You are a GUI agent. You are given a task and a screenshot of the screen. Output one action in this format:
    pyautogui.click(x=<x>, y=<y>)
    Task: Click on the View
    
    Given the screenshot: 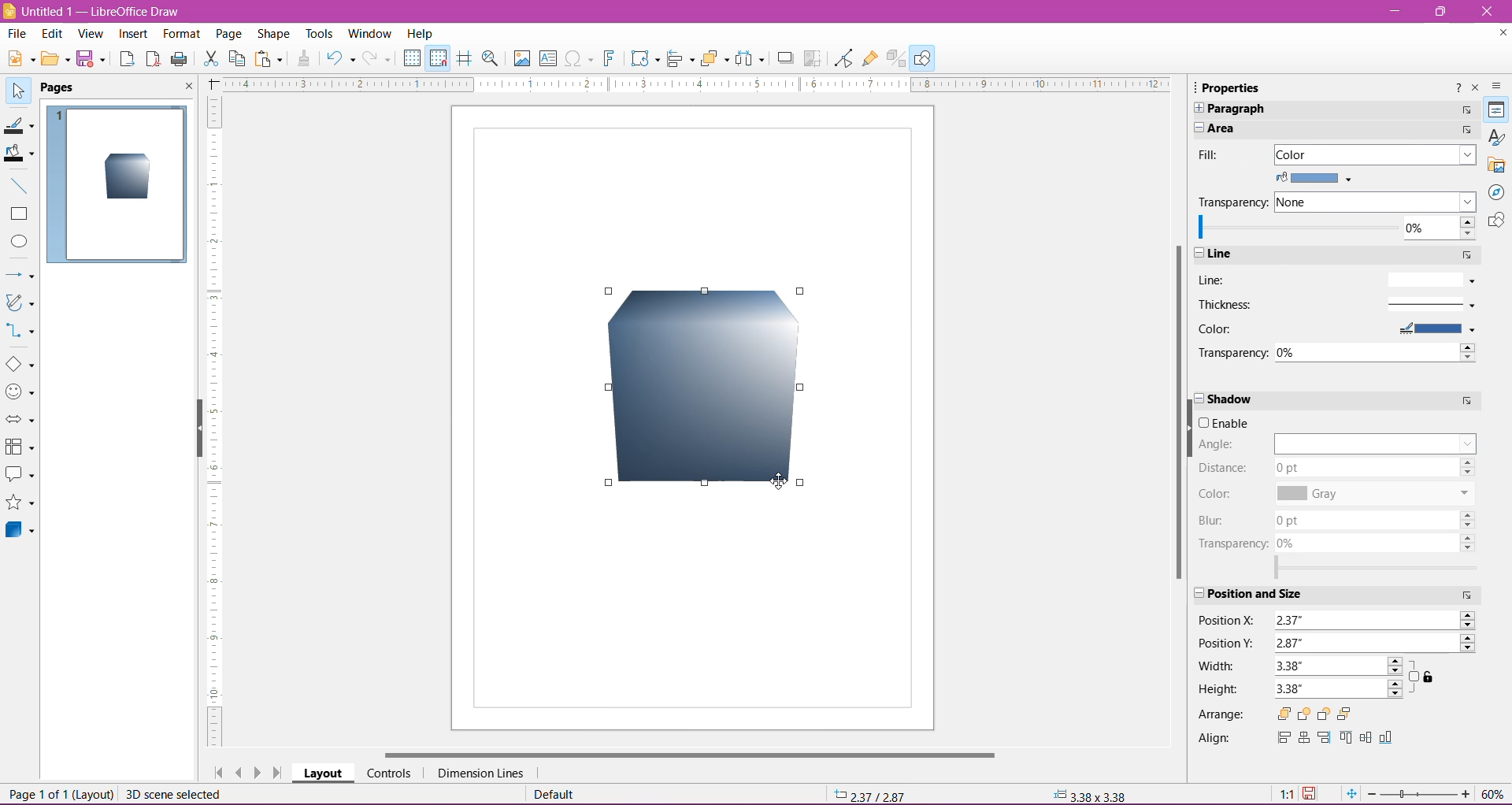 What is the action you would take?
    pyautogui.click(x=91, y=35)
    